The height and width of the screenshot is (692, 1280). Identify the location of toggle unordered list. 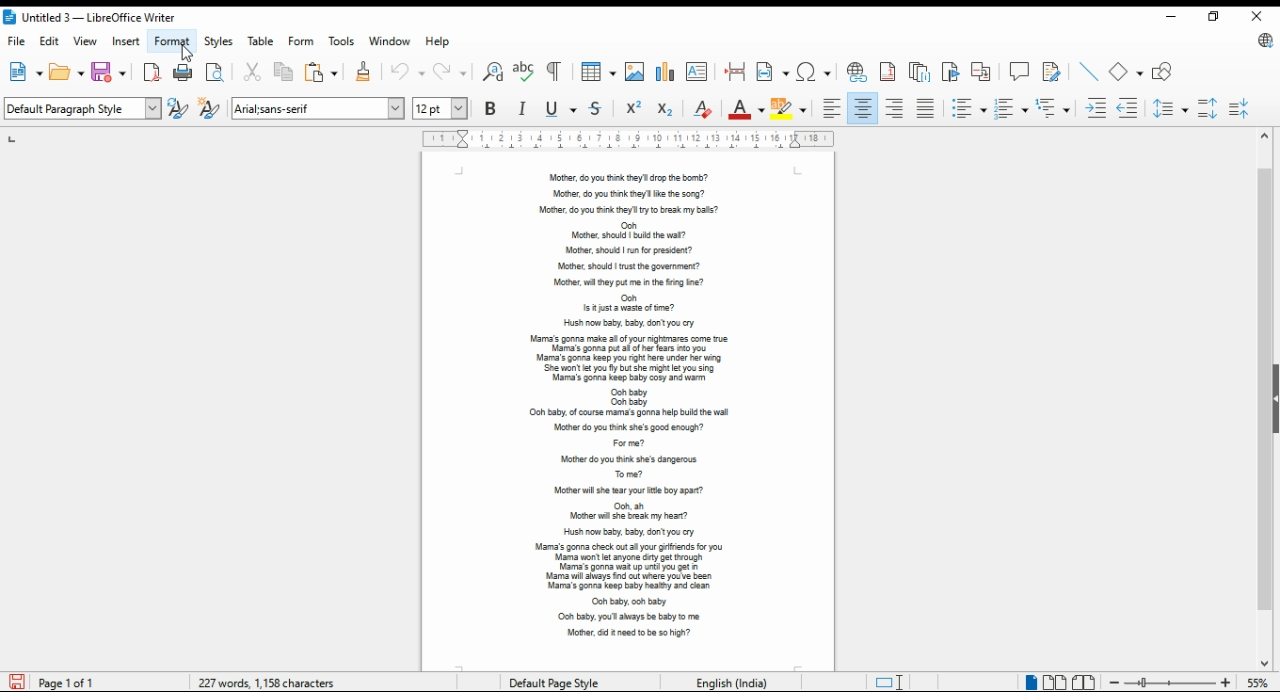
(969, 109).